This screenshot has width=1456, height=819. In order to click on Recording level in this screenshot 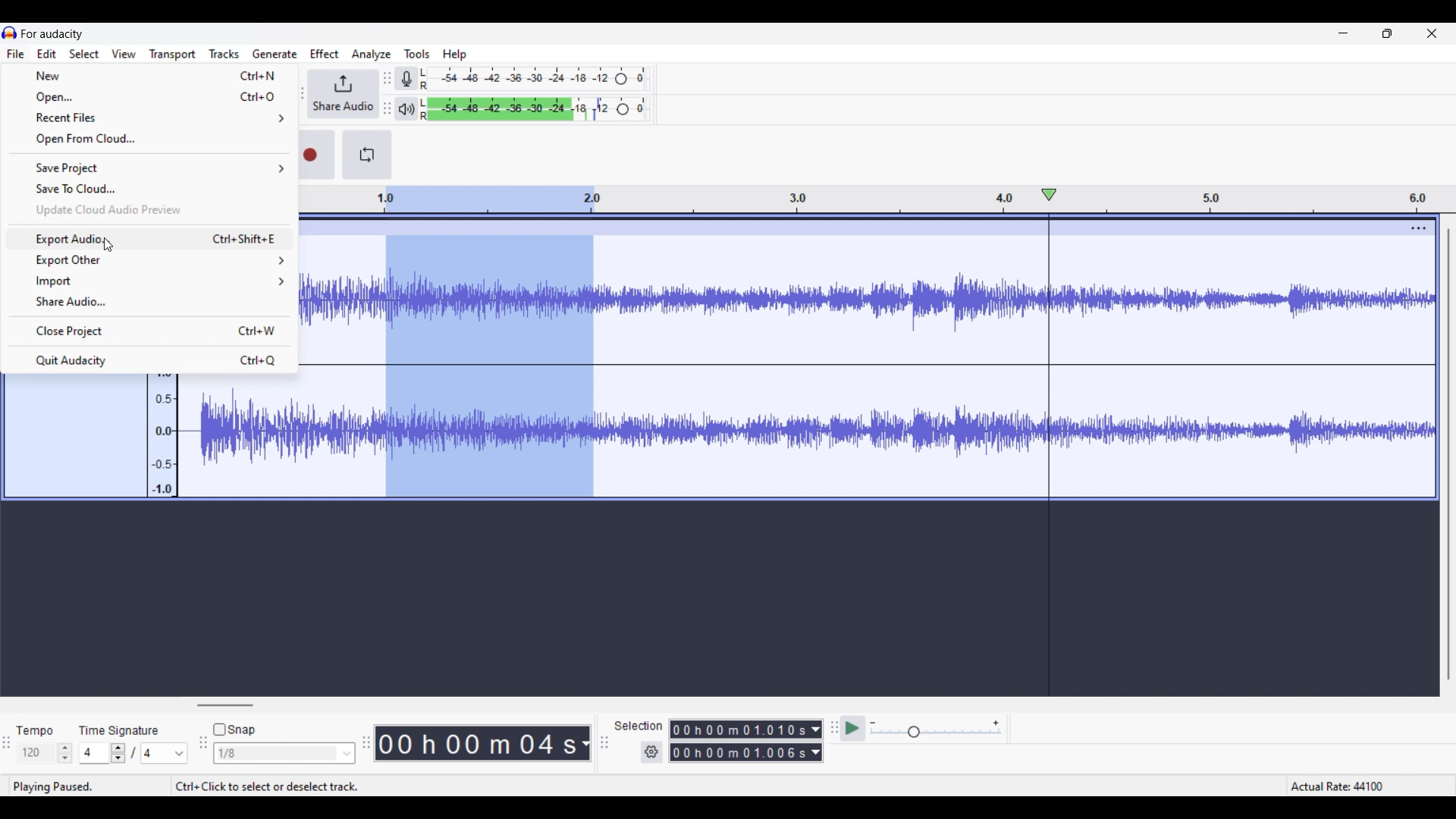, I will do `click(535, 79)`.